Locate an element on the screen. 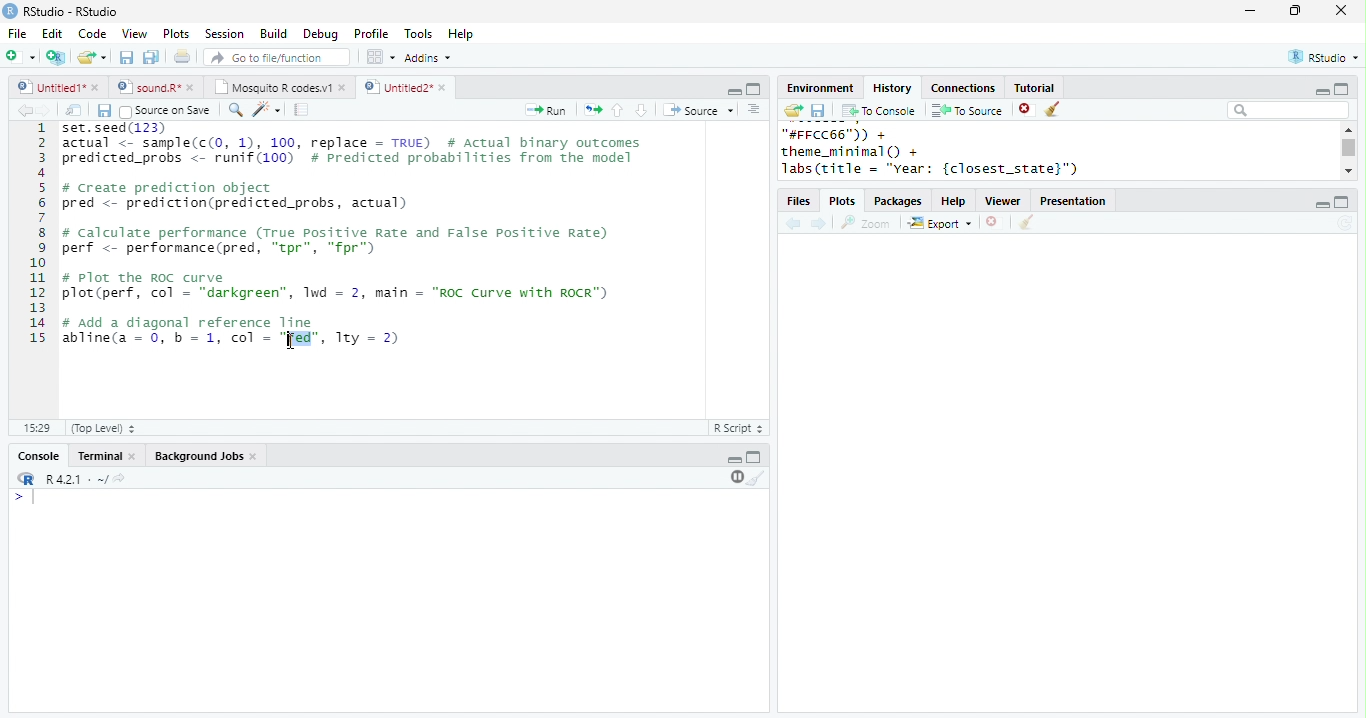 The height and width of the screenshot is (718, 1366). Session is located at coordinates (224, 34).